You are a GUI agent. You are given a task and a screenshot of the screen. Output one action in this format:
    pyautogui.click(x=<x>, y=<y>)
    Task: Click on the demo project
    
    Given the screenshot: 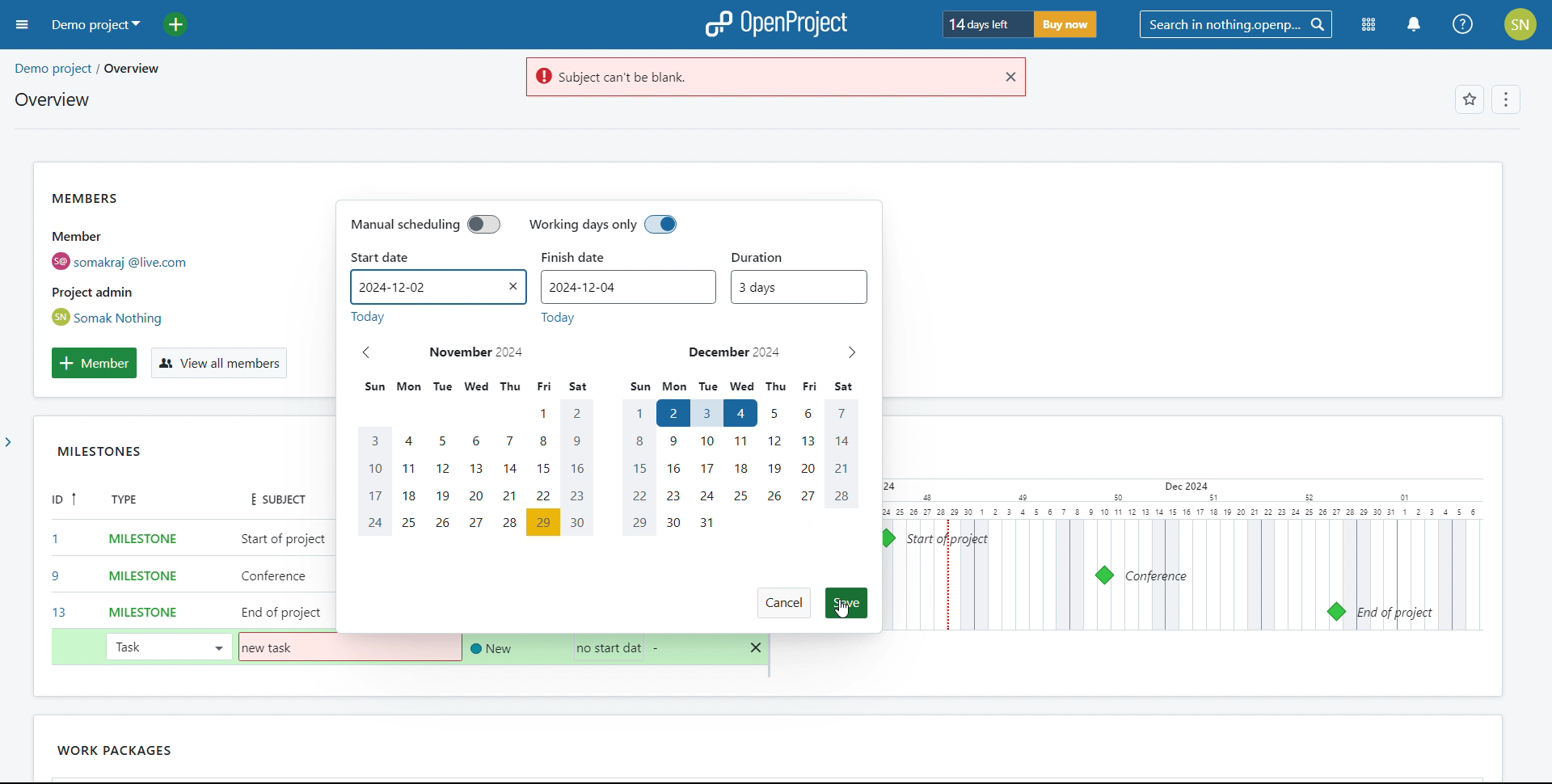 What is the action you would take?
    pyautogui.click(x=94, y=24)
    